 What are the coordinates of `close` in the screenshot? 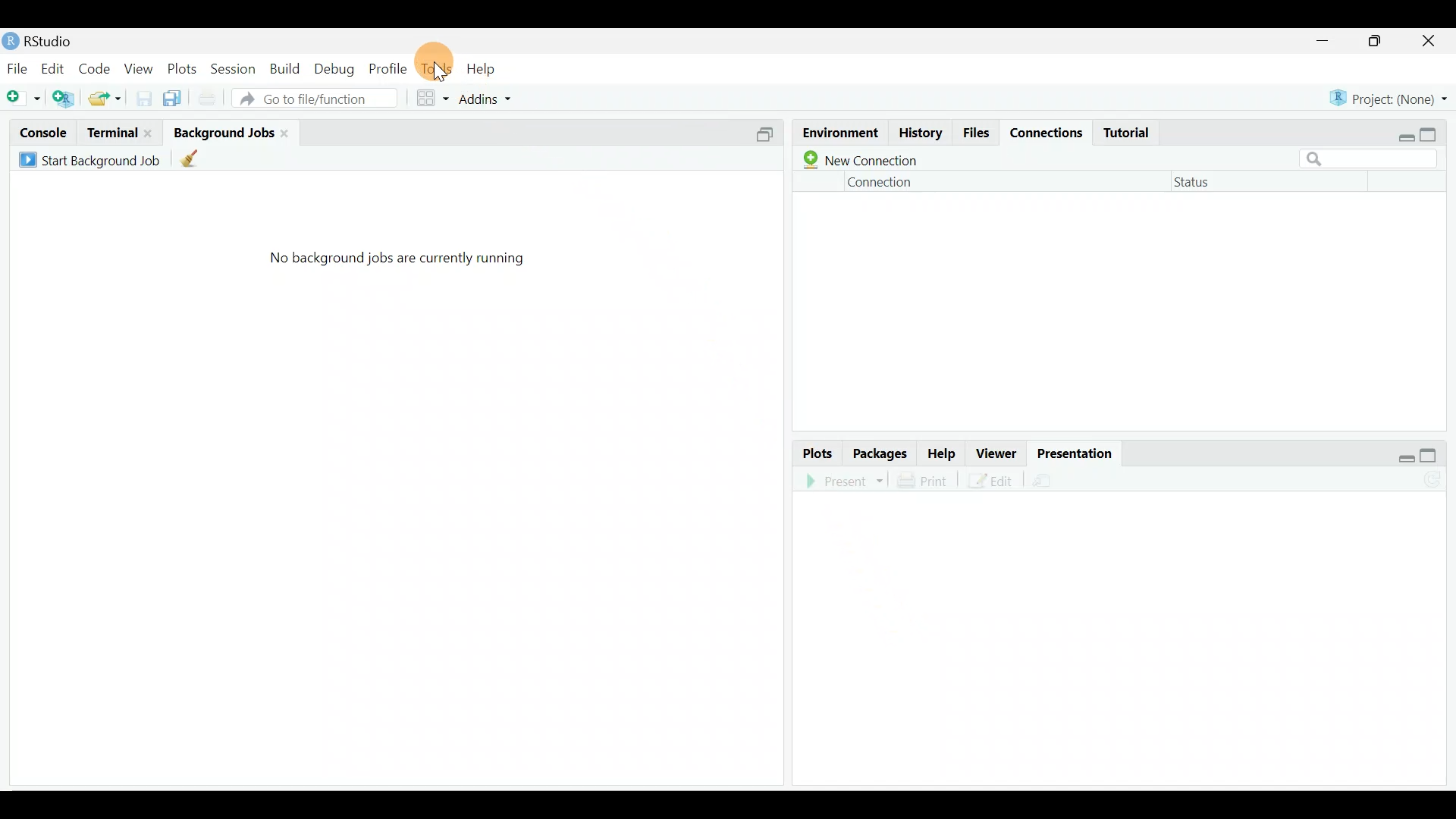 It's located at (1429, 41).